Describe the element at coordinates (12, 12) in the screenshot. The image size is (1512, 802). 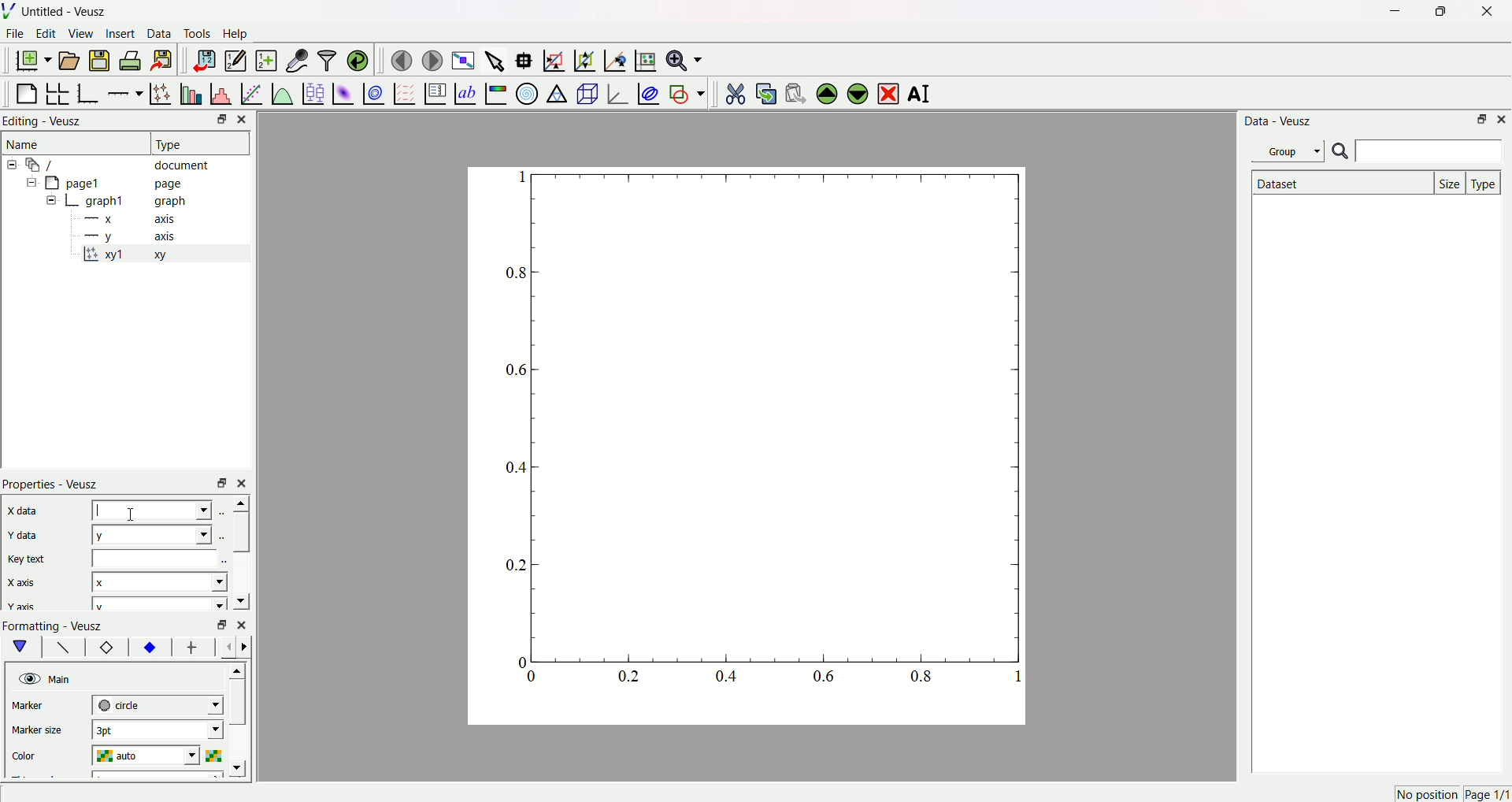
I see `Logo` at that location.